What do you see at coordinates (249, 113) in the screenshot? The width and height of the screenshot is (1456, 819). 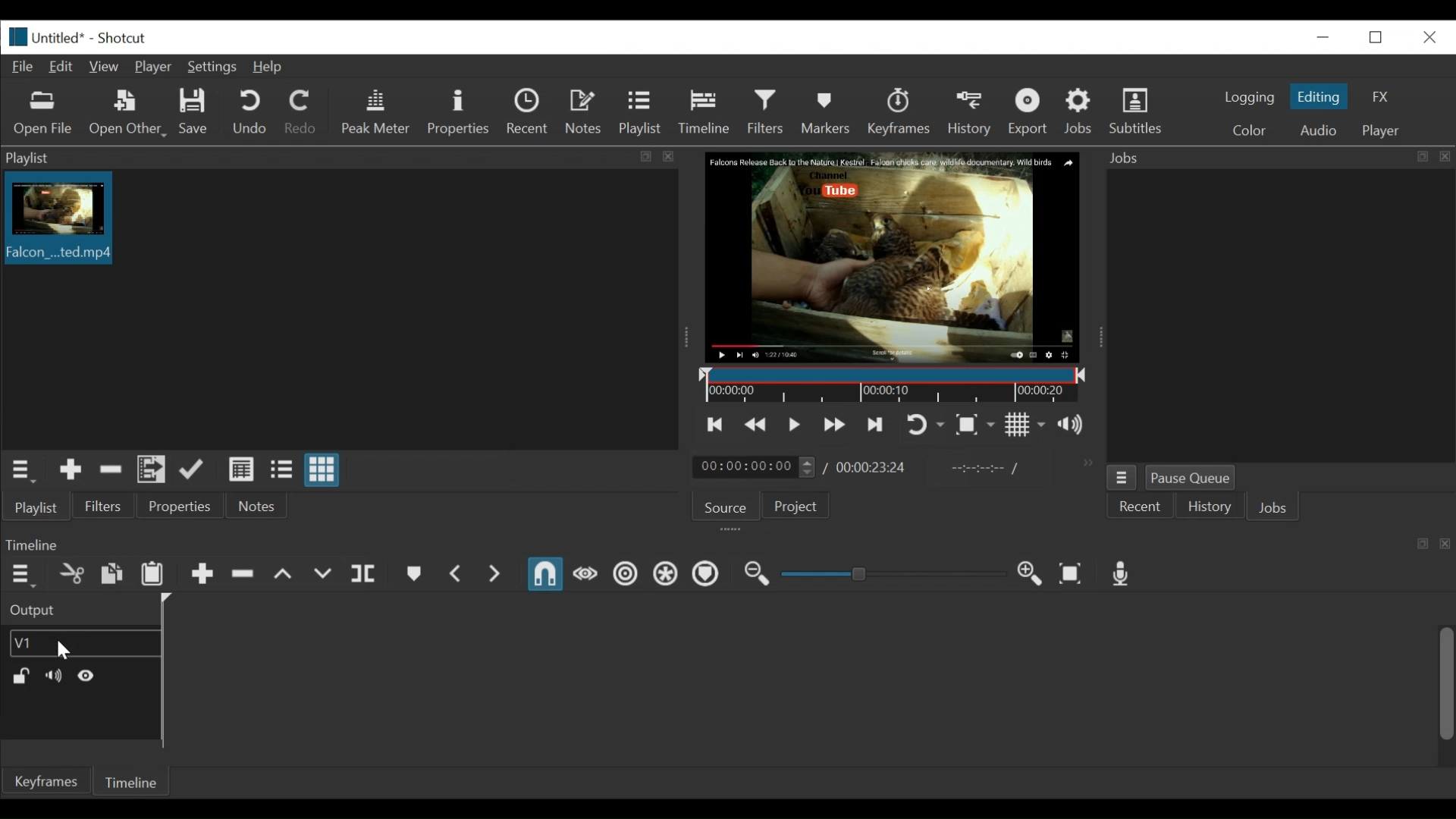 I see `Undo` at bounding box center [249, 113].